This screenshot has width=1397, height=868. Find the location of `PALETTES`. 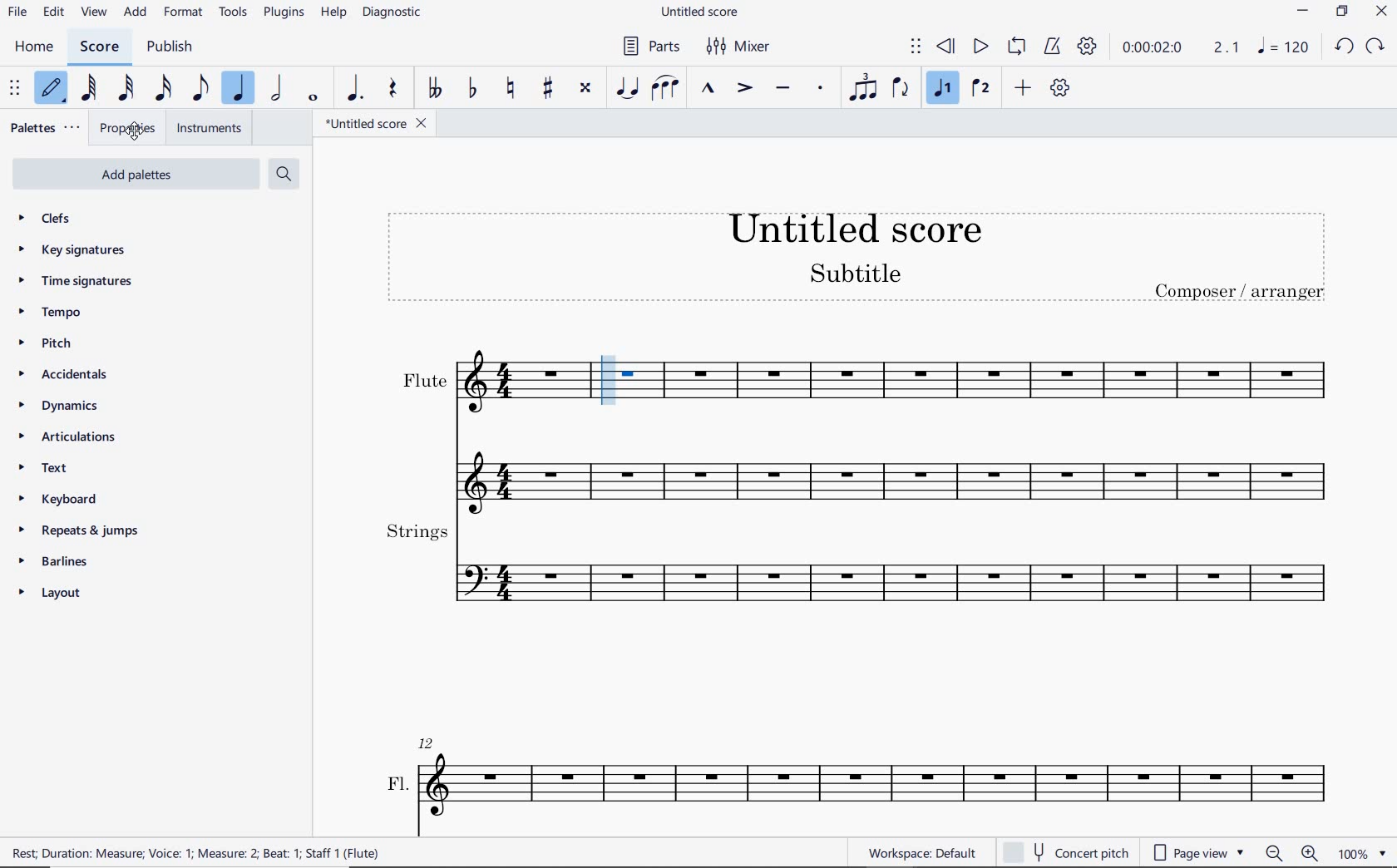

PALETTES is located at coordinates (47, 126).